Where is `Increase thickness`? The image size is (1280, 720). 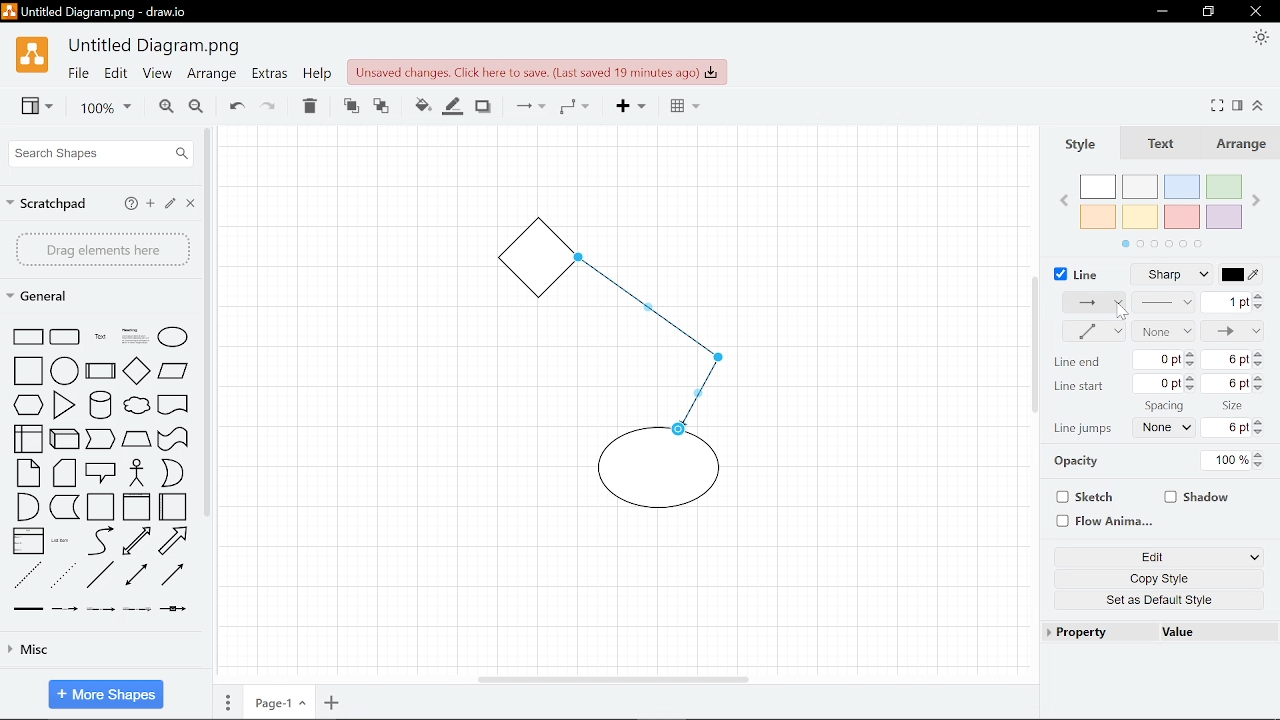 Increase thickness is located at coordinates (1259, 296).